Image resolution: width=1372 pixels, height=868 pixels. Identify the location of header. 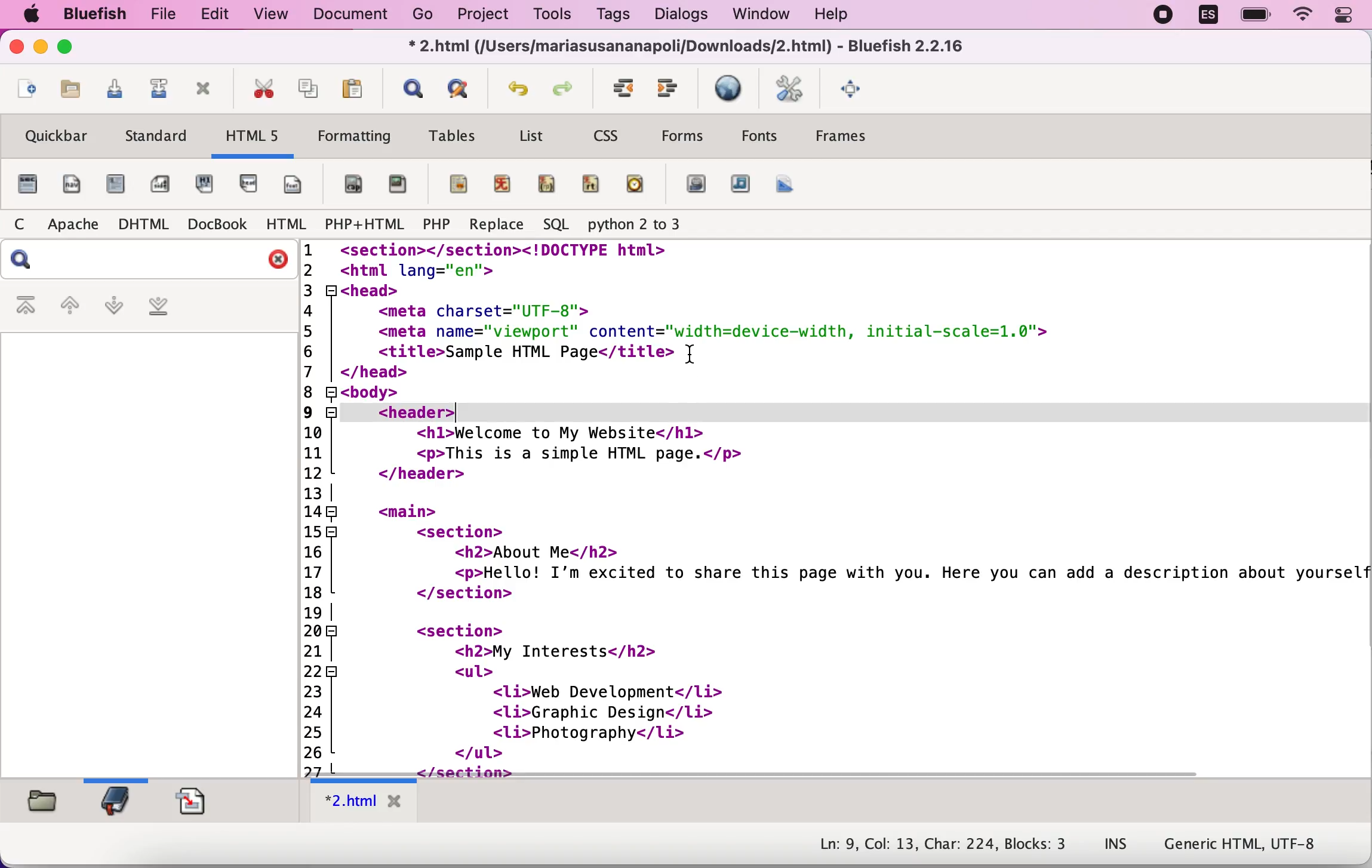
(253, 184).